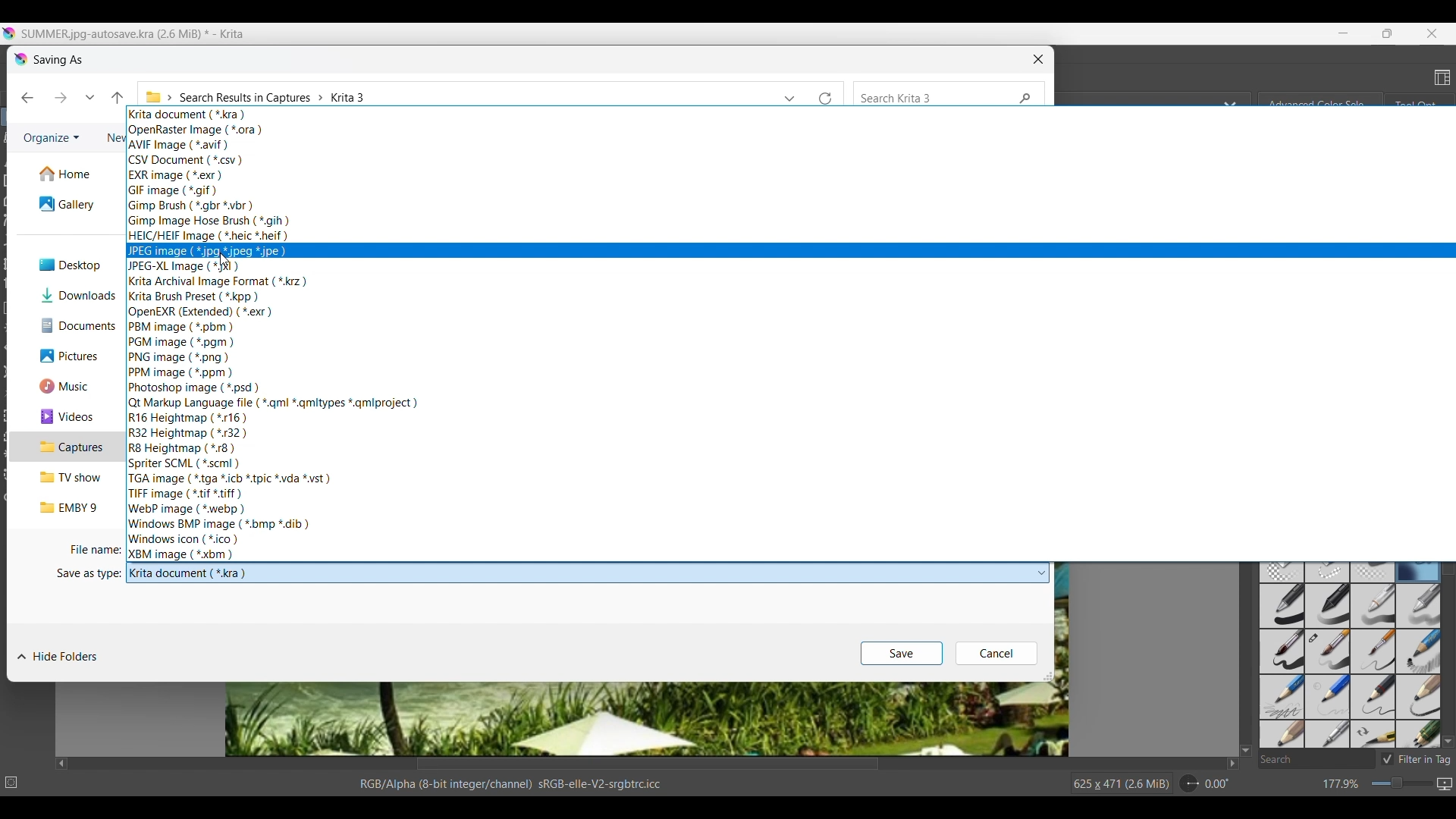 Image resolution: width=1456 pixels, height=819 pixels. I want to click on Organize folder options, so click(52, 139).